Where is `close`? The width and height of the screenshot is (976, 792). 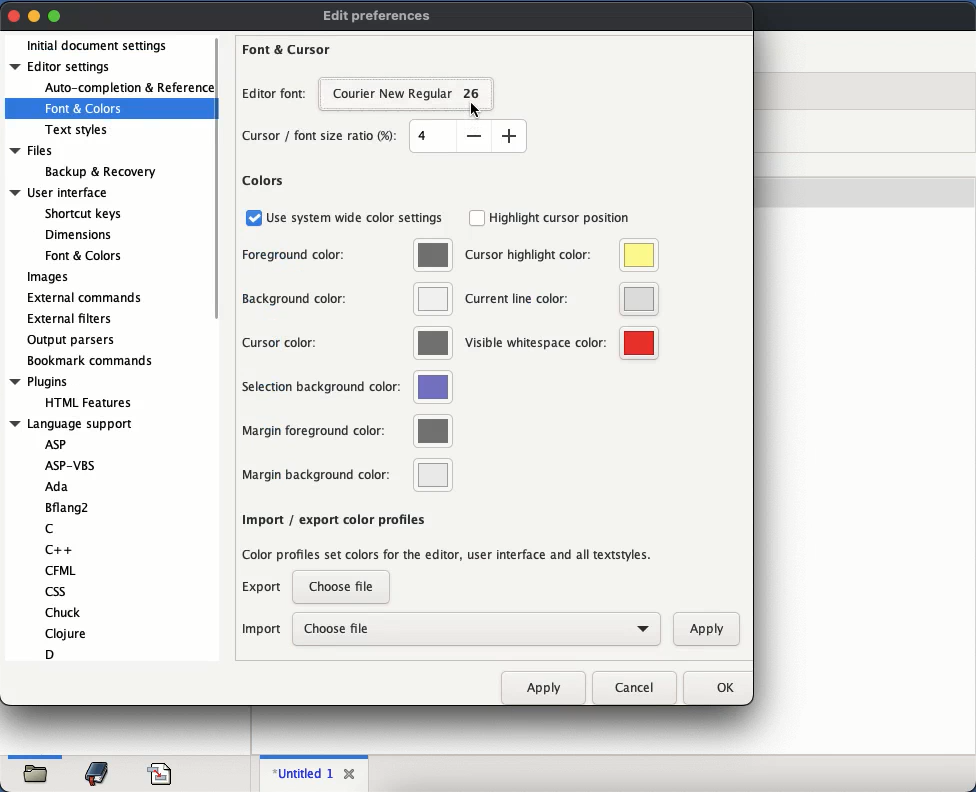
close is located at coordinates (15, 17).